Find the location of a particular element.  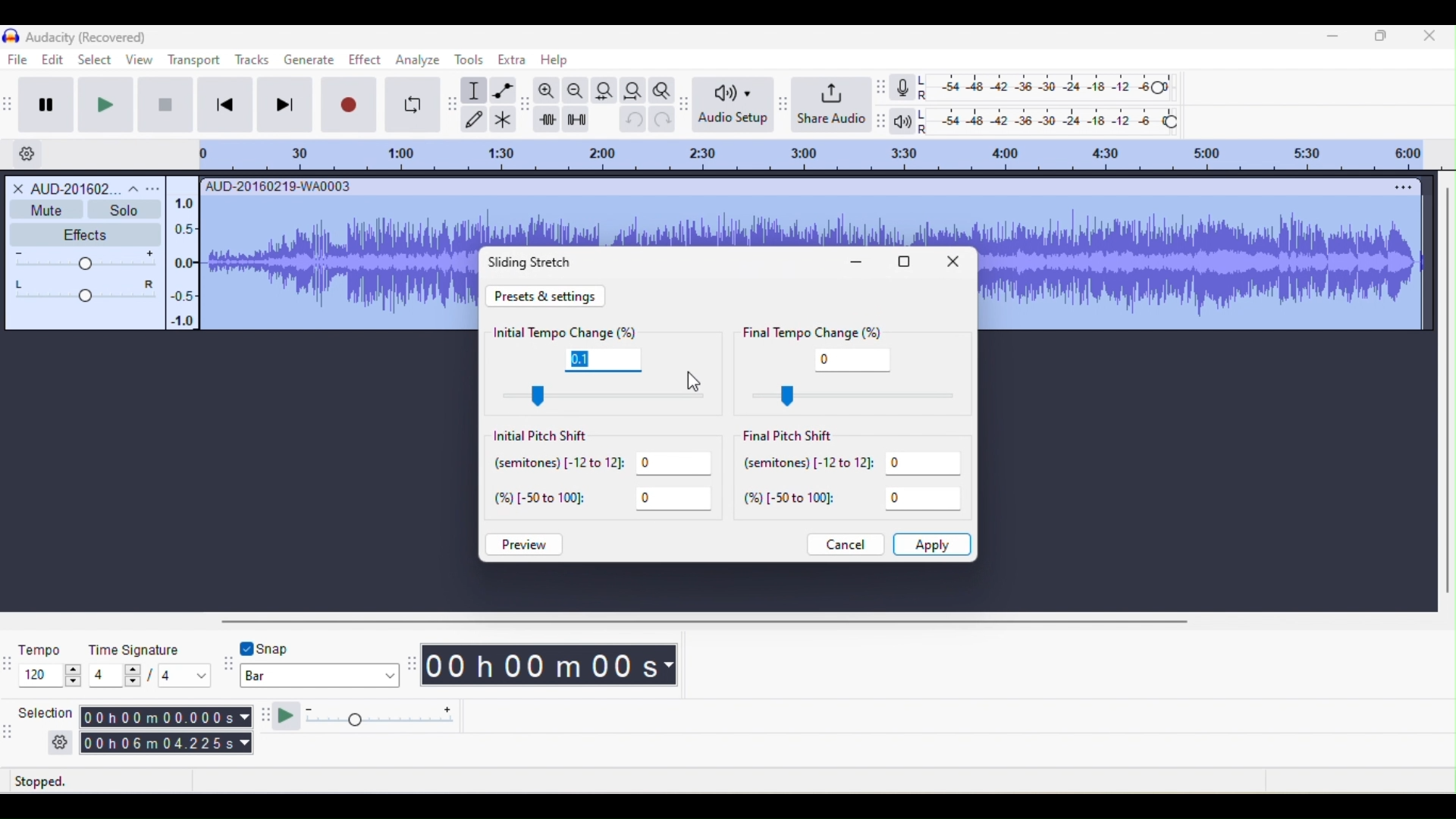

preview is located at coordinates (527, 546).